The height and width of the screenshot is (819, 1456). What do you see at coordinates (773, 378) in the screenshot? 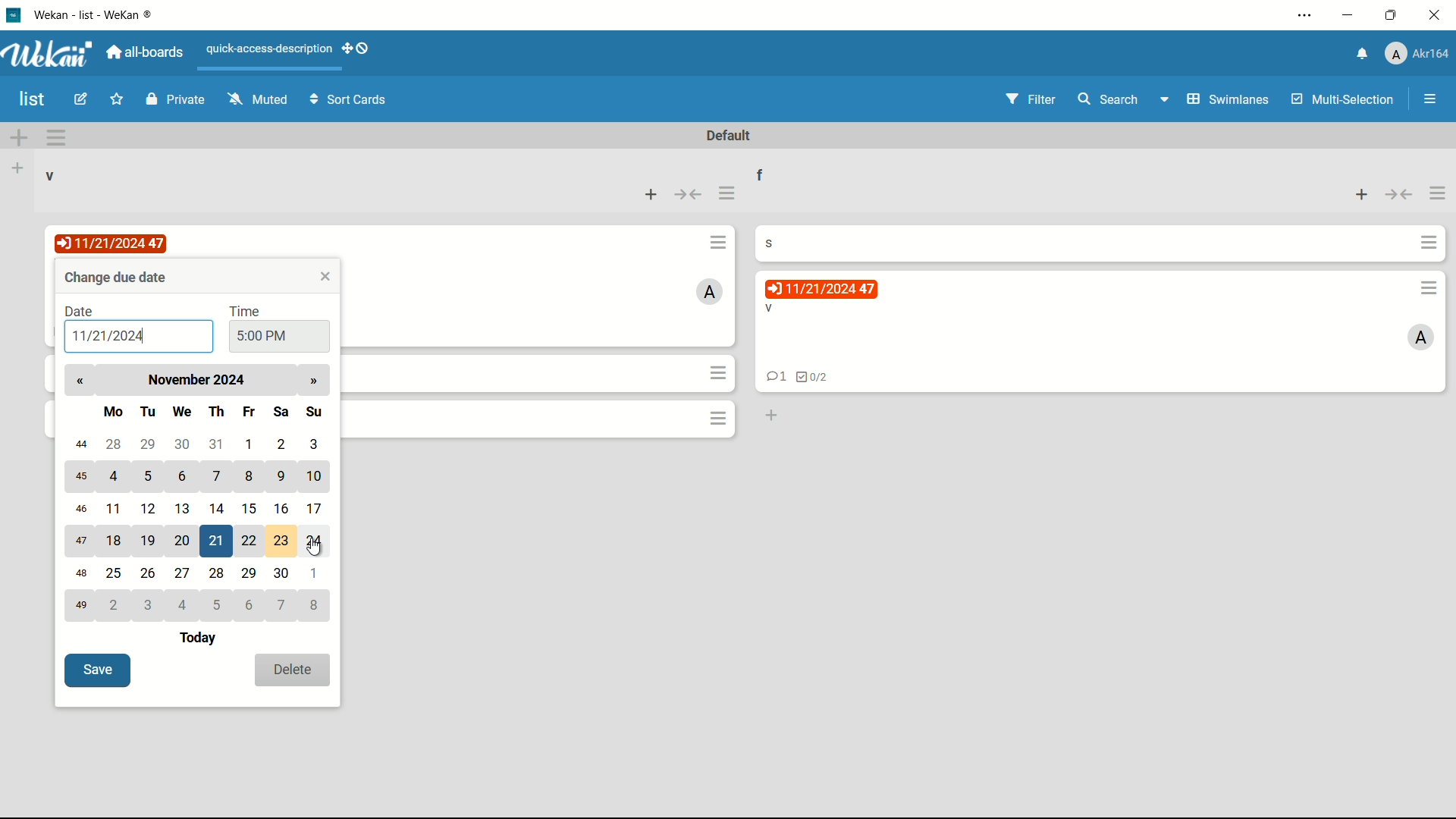
I see `comment` at bounding box center [773, 378].